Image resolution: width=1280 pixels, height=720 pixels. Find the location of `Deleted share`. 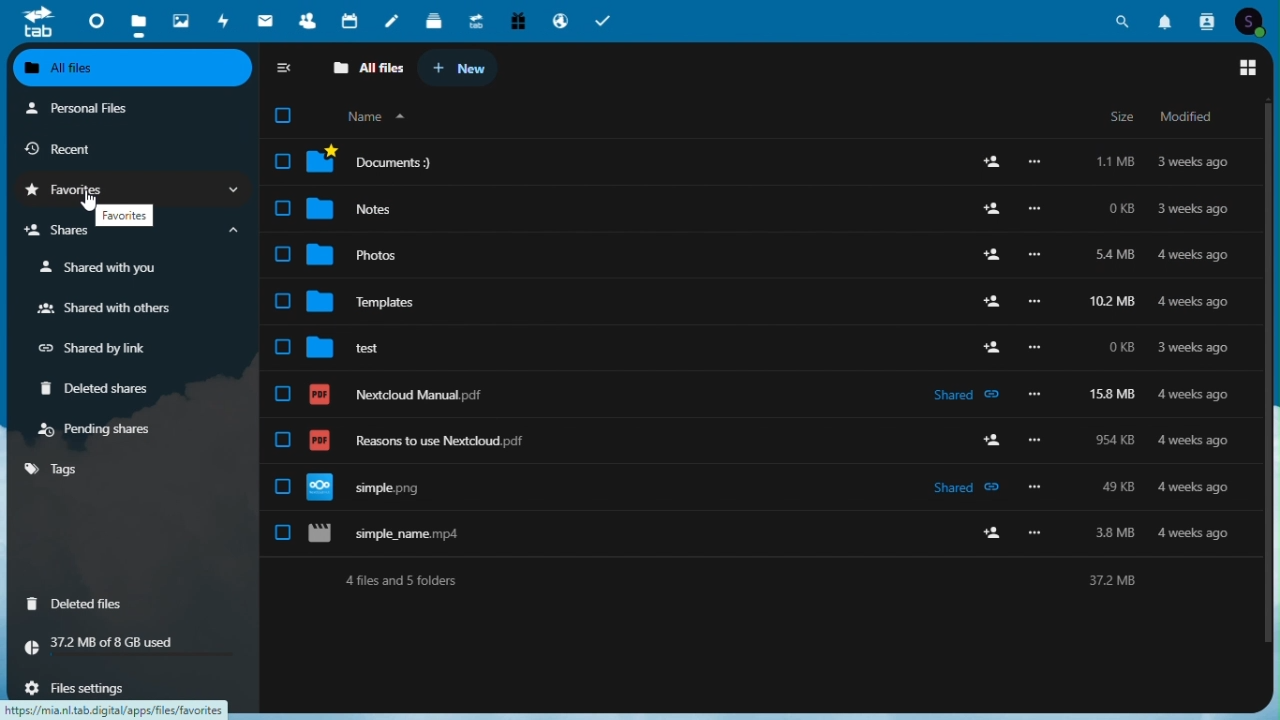

Deleted share is located at coordinates (96, 388).